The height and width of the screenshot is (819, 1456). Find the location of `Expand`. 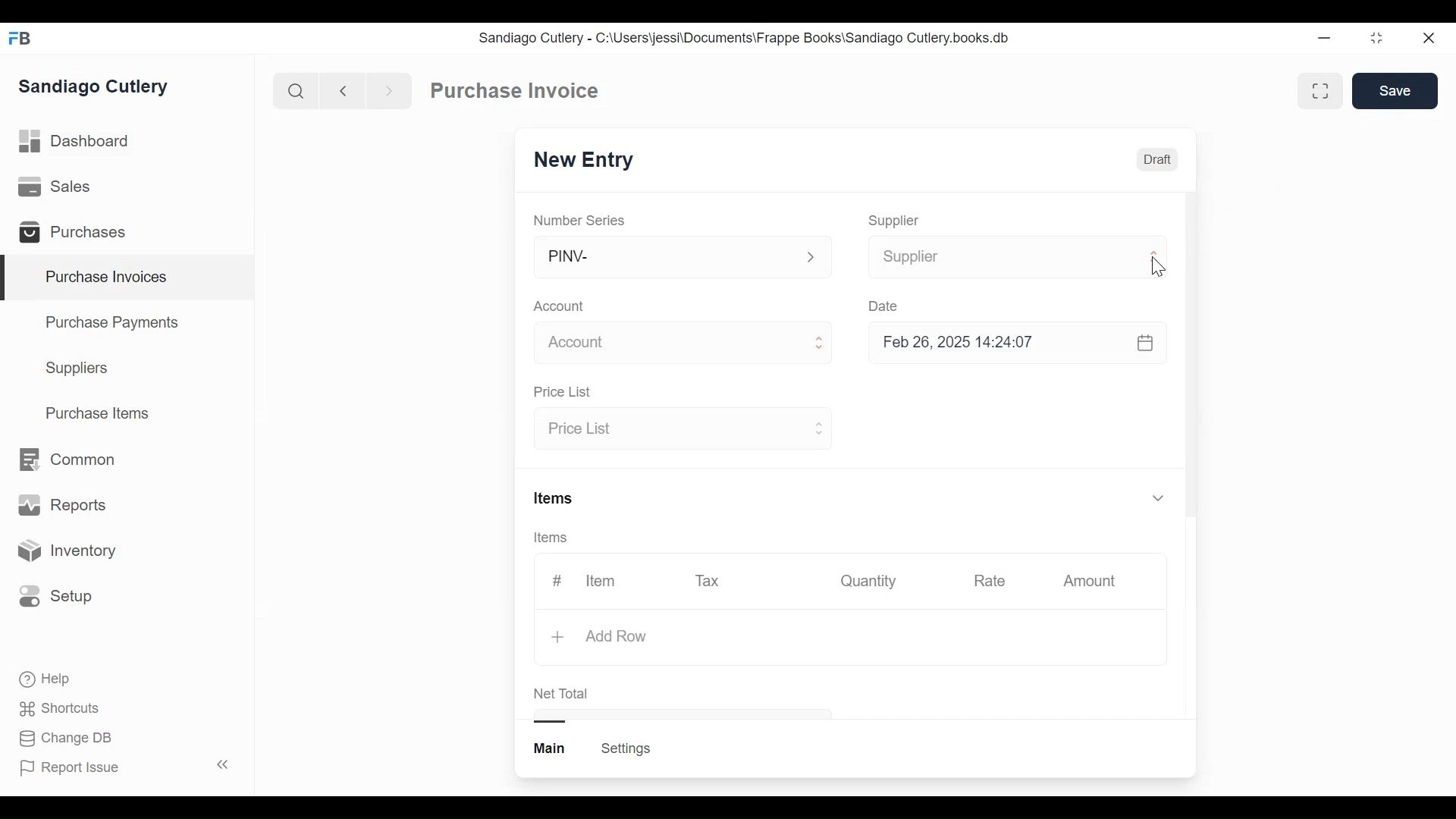

Expand is located at coordinates (1153, 257).